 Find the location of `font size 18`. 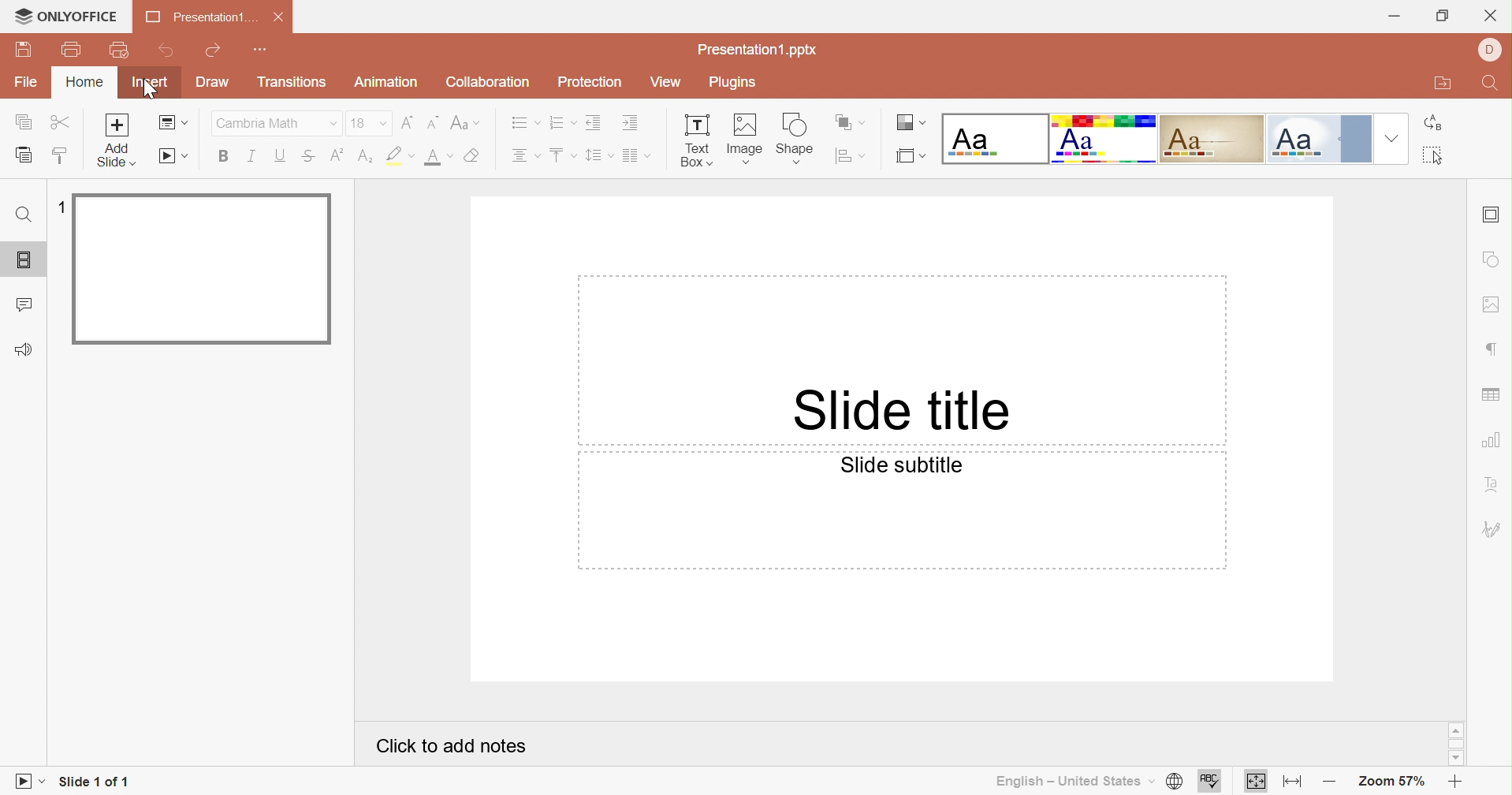

font size 18 is located at coordinates (359, 123).